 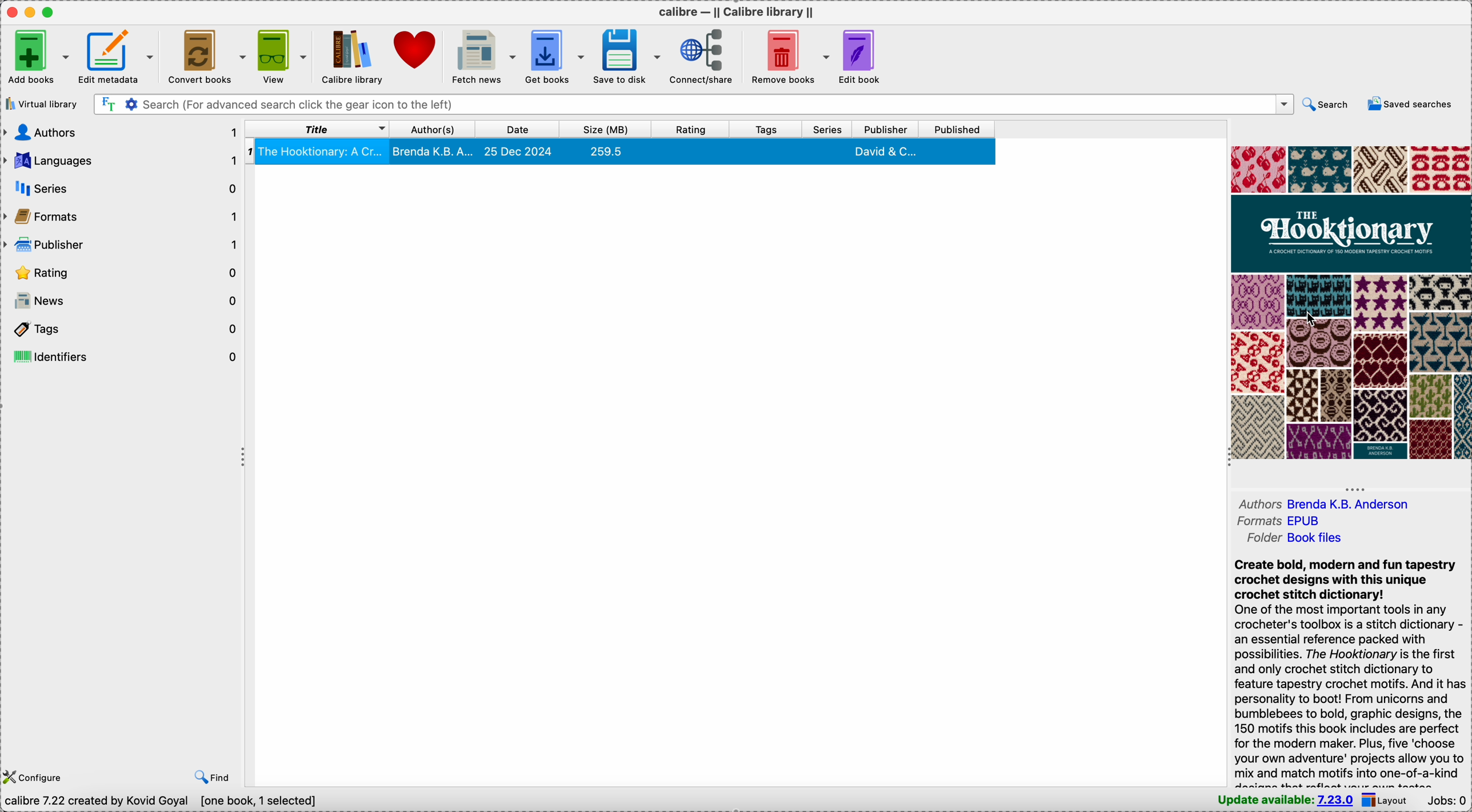 What do you see at coordinates (41, 105) in the screenshot?
I see `virtual library` at bounding box center [41, 105].